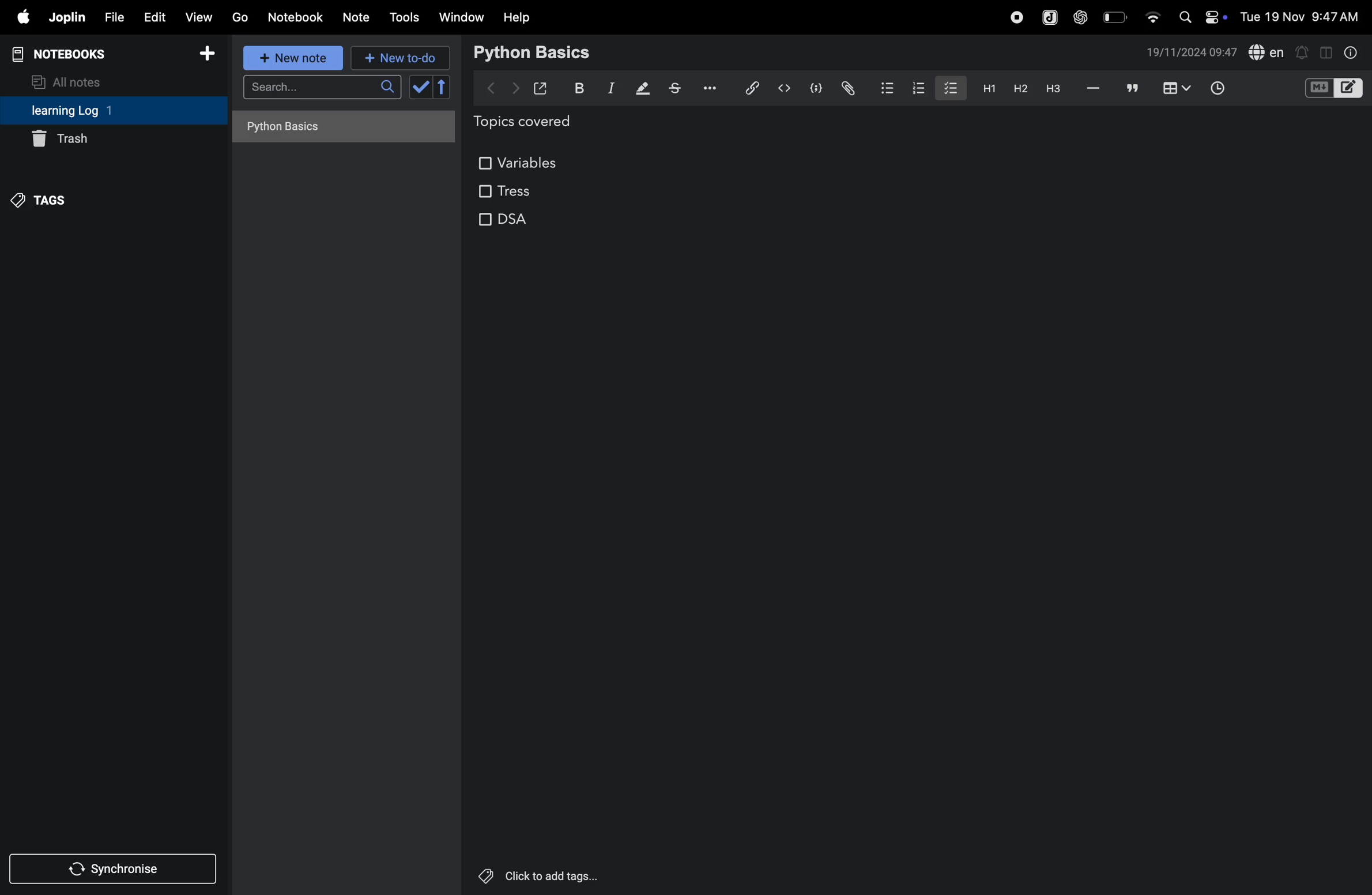 The image size is (1372, 895). I want to click on no notes here, so click(340, 130).